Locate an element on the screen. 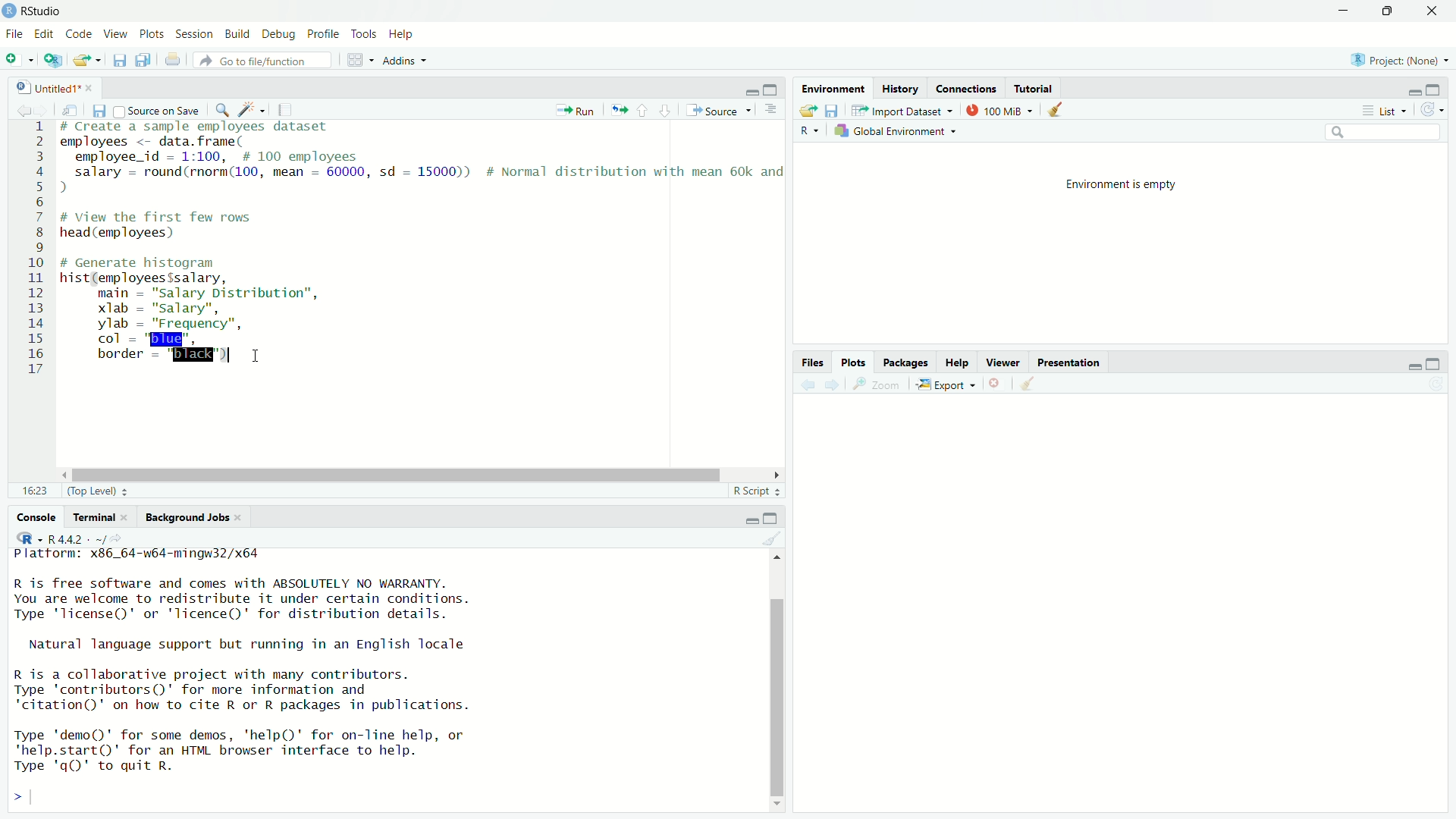  cursor is located at coordinates (256, 357).